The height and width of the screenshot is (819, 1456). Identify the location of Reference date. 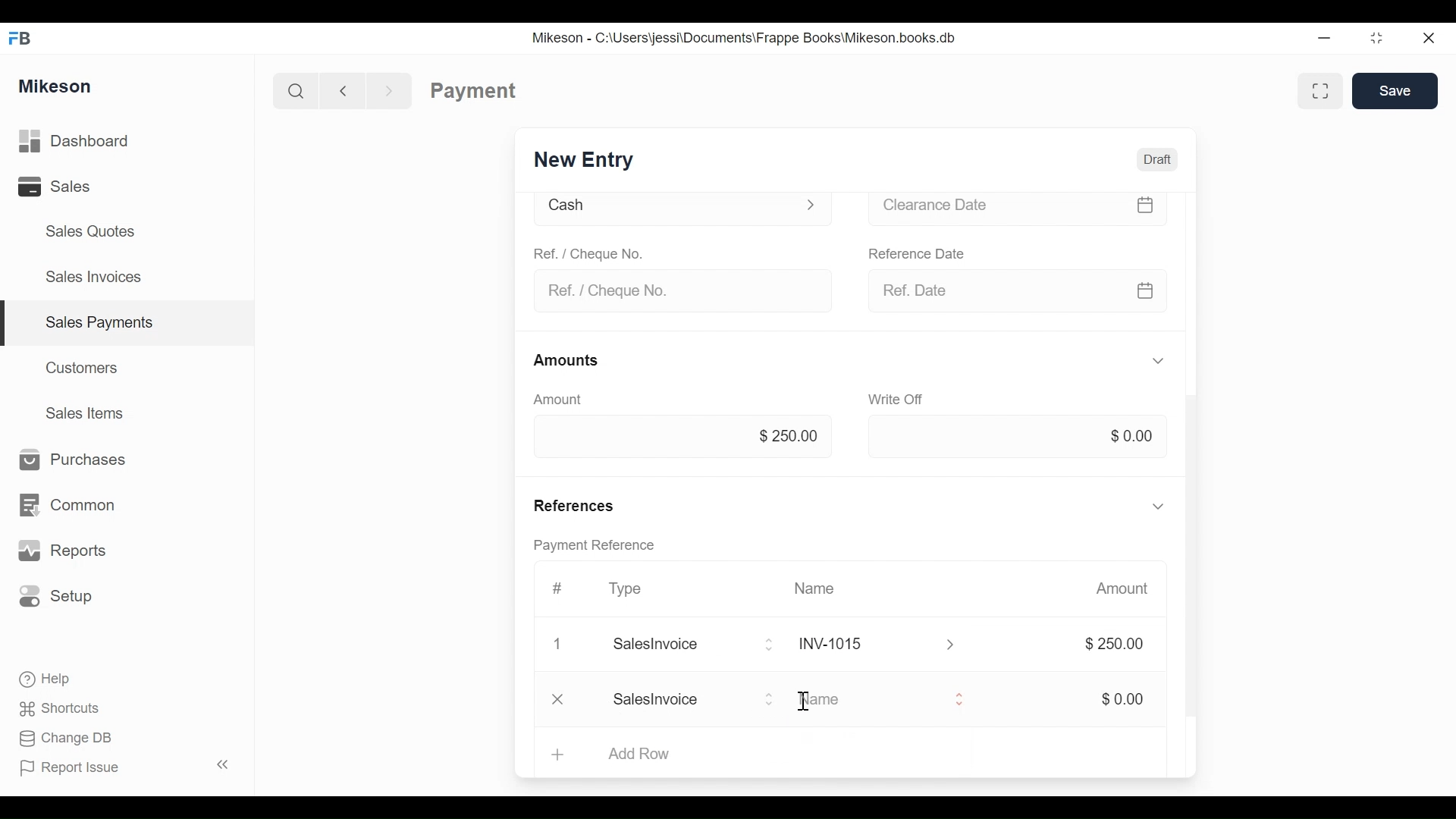
(918, 253).